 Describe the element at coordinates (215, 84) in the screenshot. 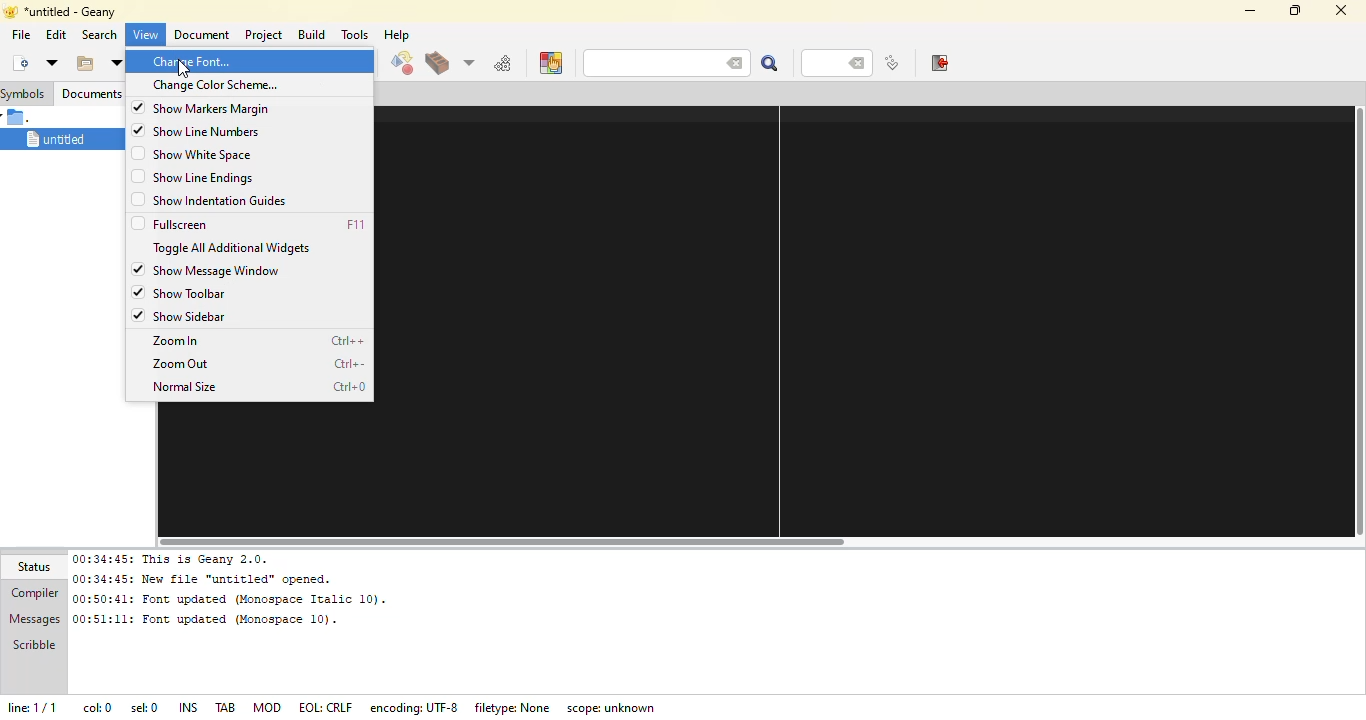

I see `change color scheme` at that location.